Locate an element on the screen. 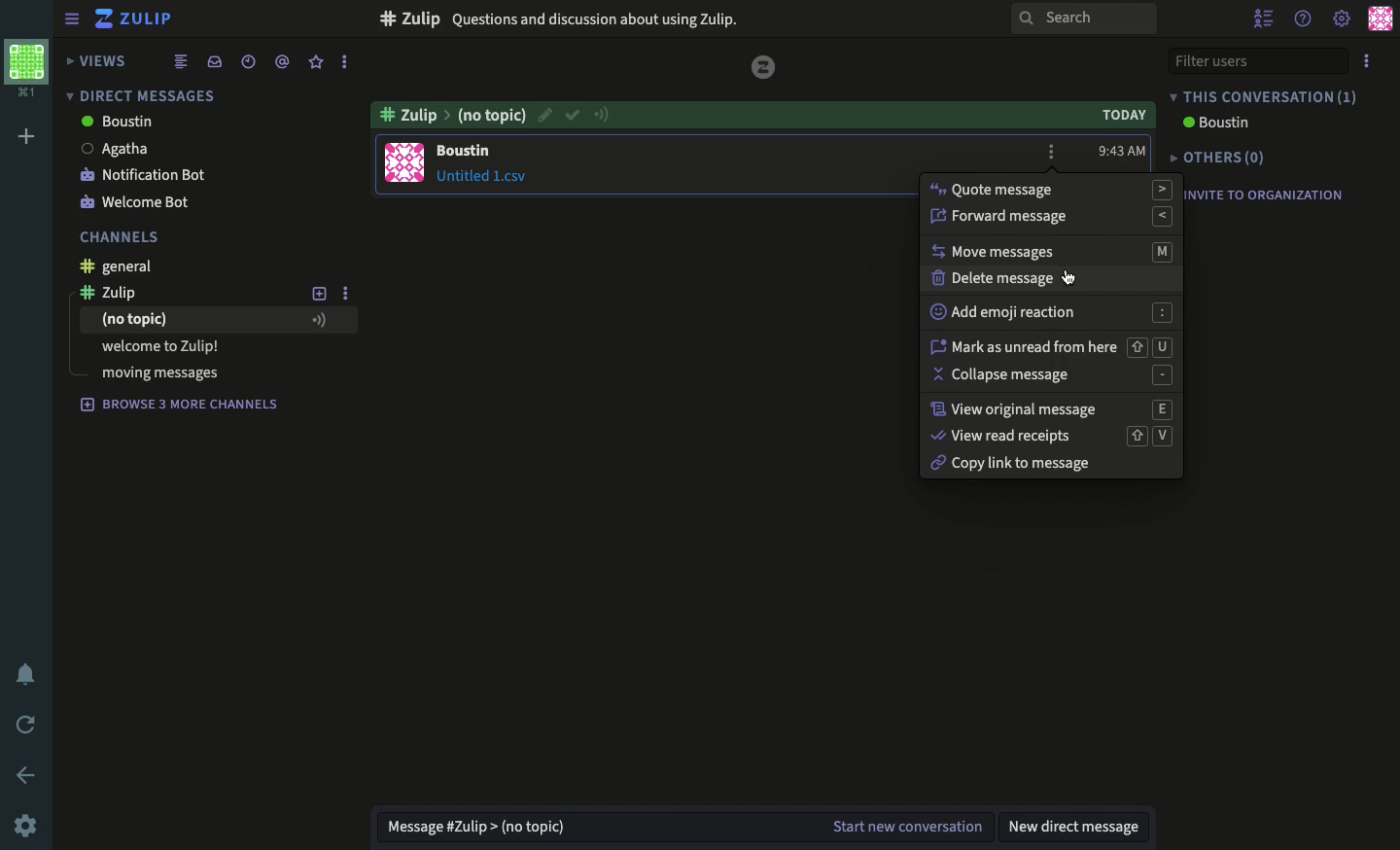  hide user list  is located at coordinates (1266, 18).